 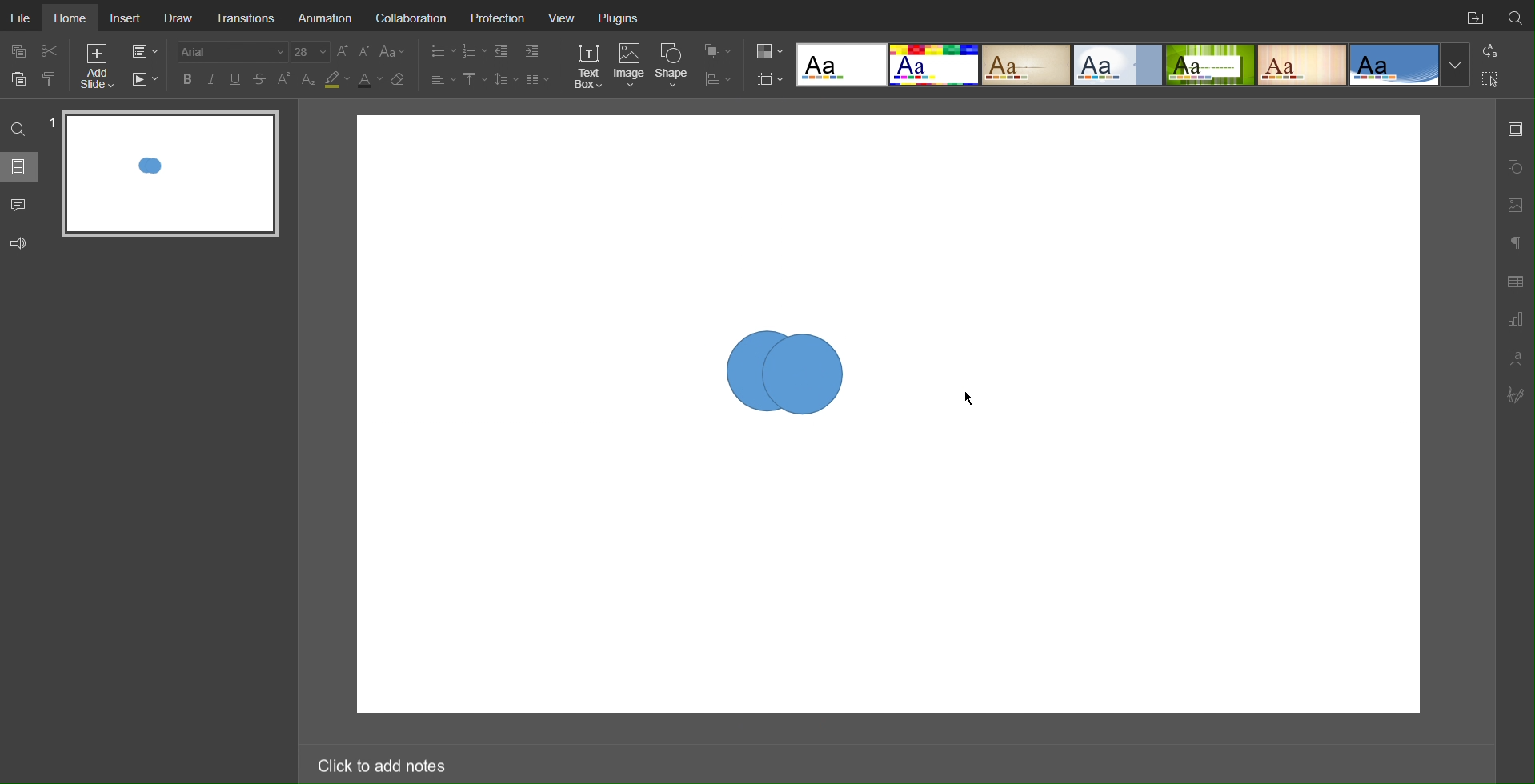 What do you see at coordinates (353, 51) in the screenshot?
I see `Font Size` at bounding box center [353, 51].